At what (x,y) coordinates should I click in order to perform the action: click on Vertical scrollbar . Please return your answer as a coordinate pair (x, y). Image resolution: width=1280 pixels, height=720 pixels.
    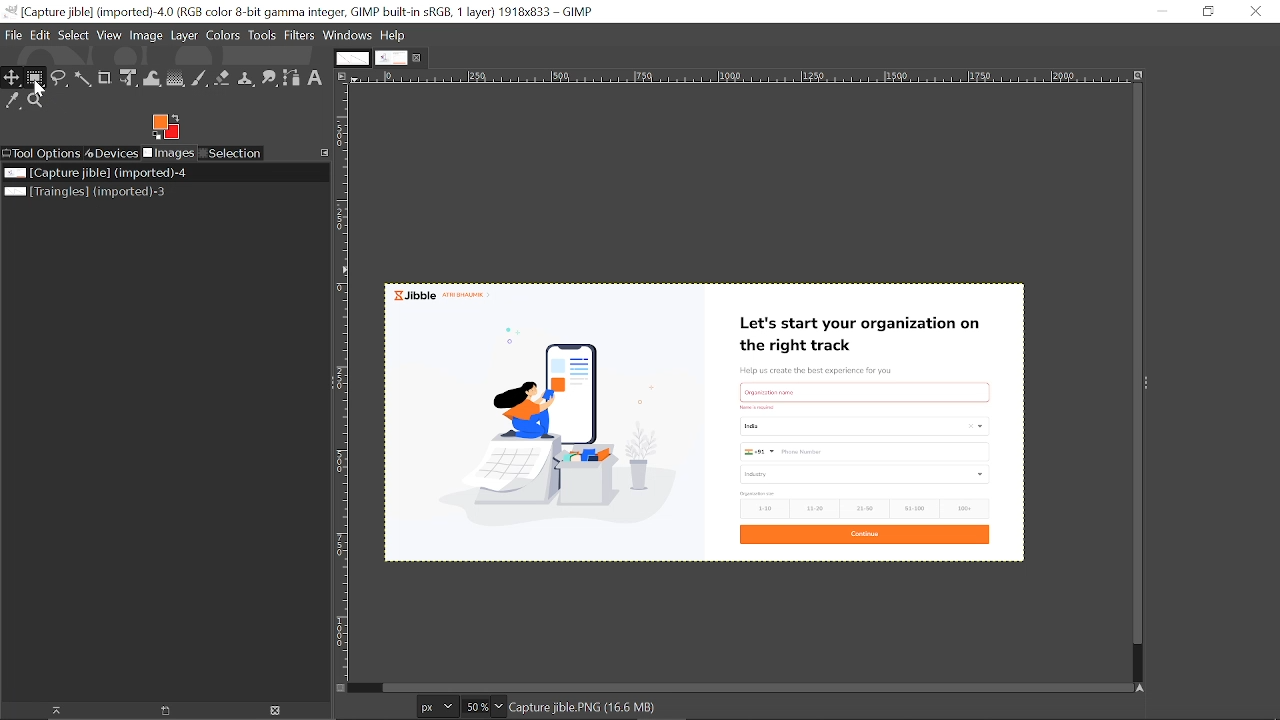
    Looking at the image, I should click on (1131, 363).